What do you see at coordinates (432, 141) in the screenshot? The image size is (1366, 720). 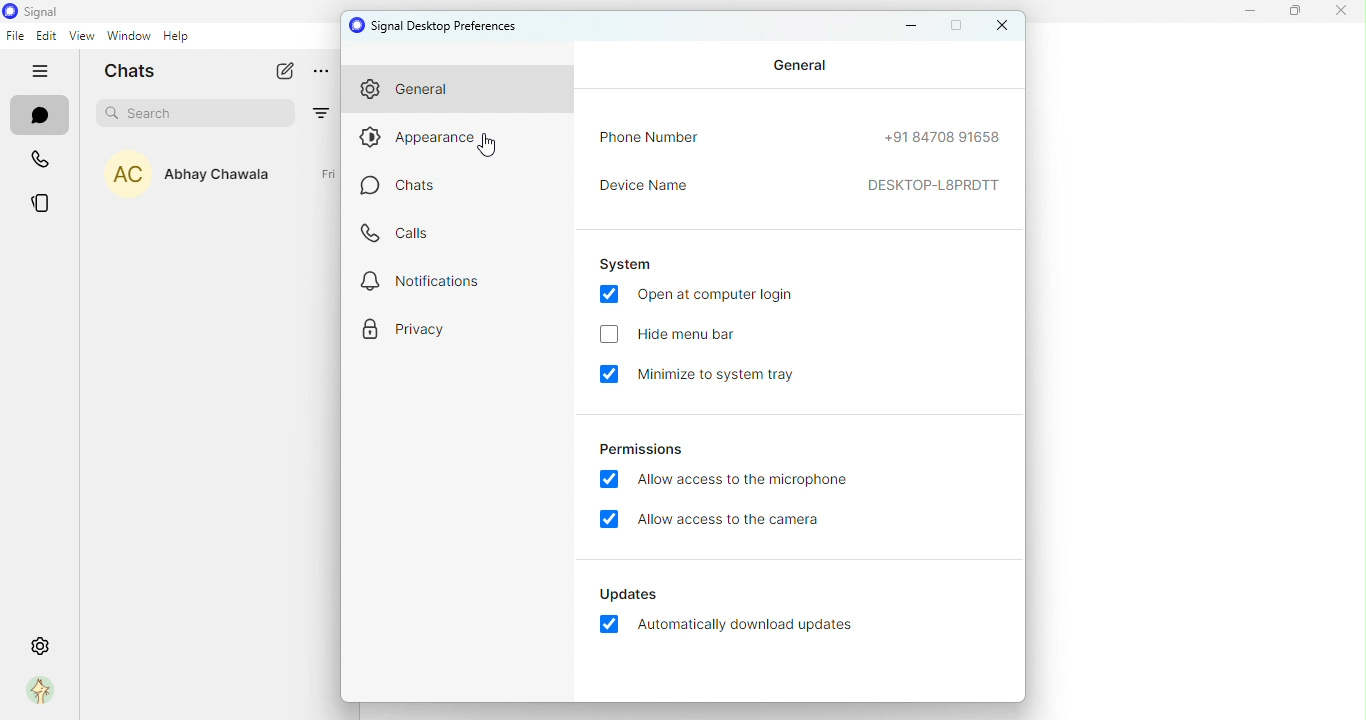 I see `appearance` at bounding box center [432, 141].